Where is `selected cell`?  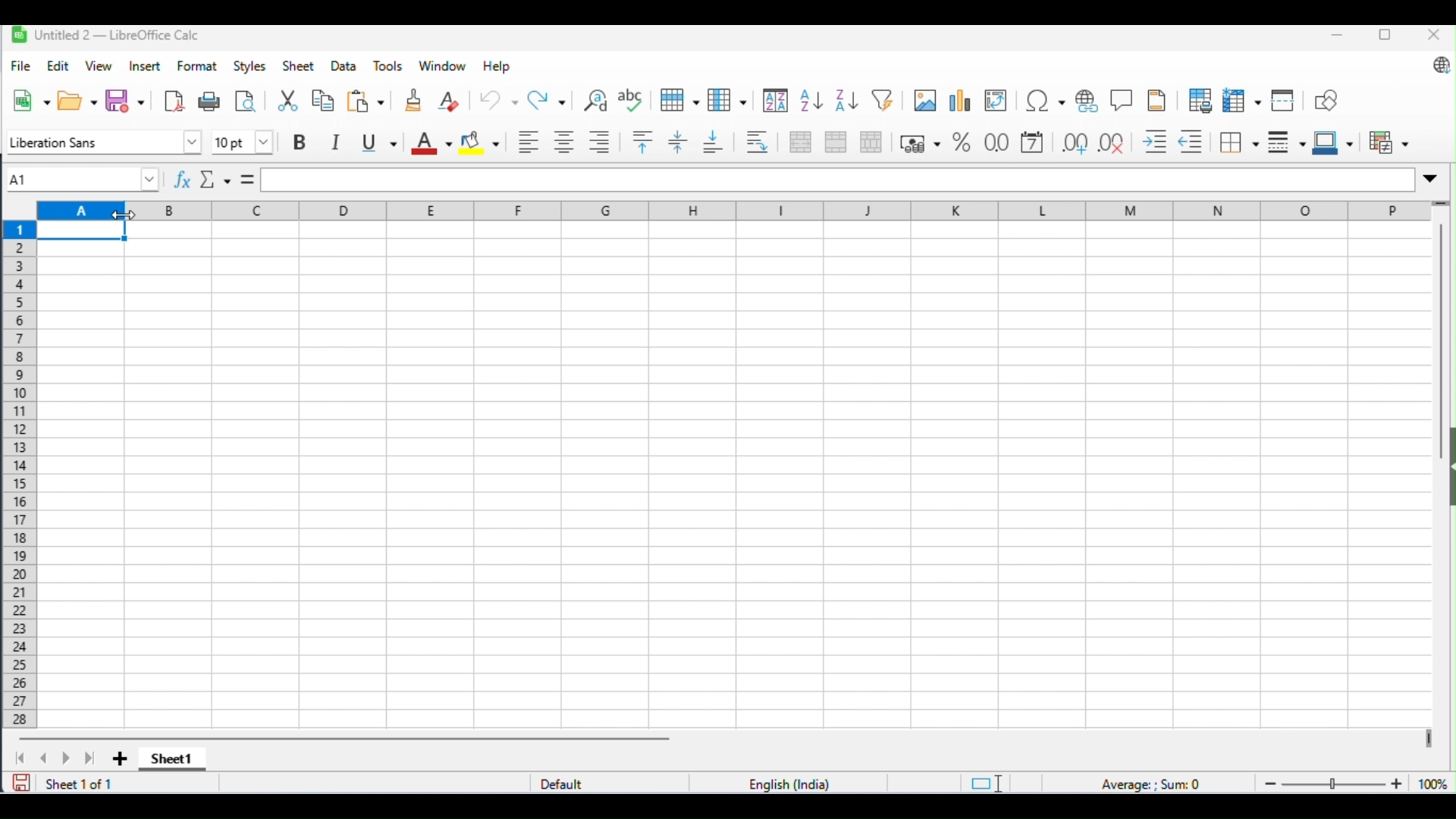 selected cell is located at coordinates (82, 232).